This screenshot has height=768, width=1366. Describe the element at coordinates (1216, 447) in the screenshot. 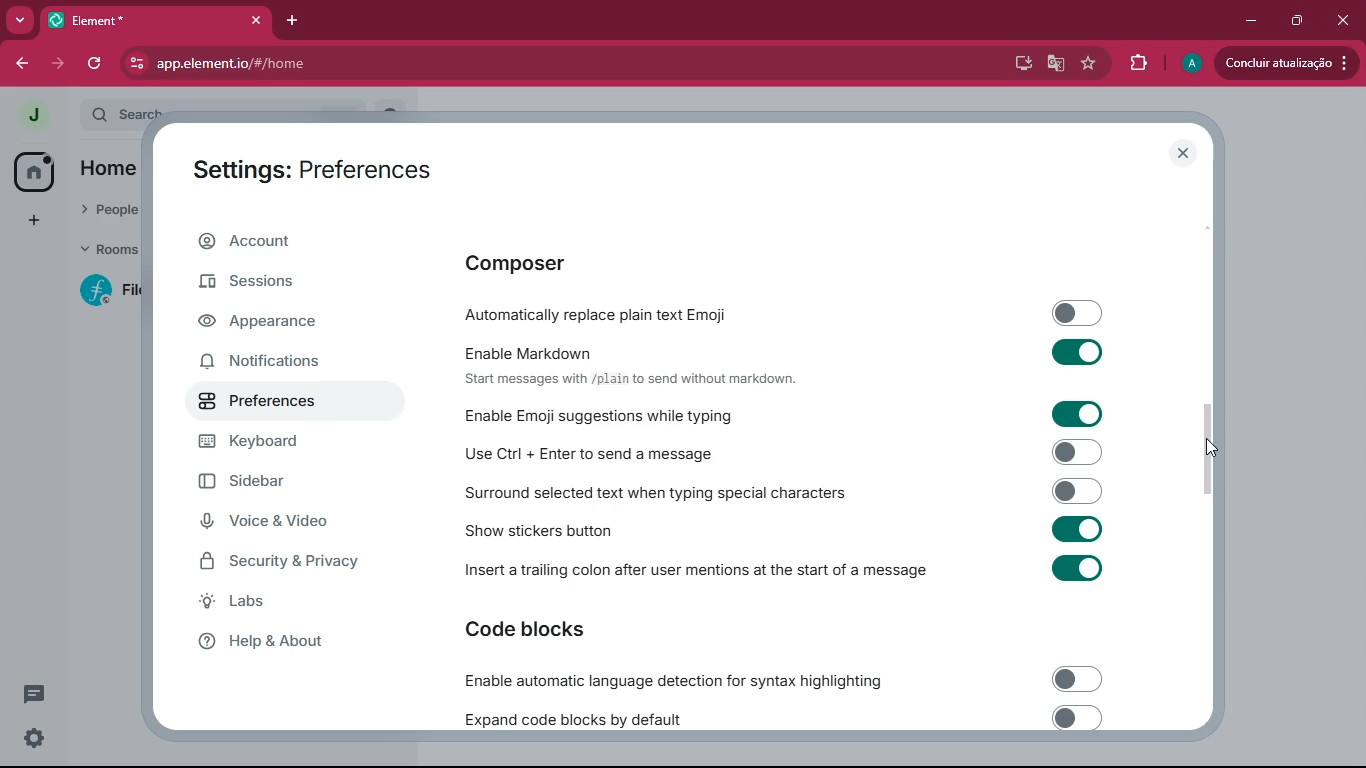

I see `cursor` at that location.